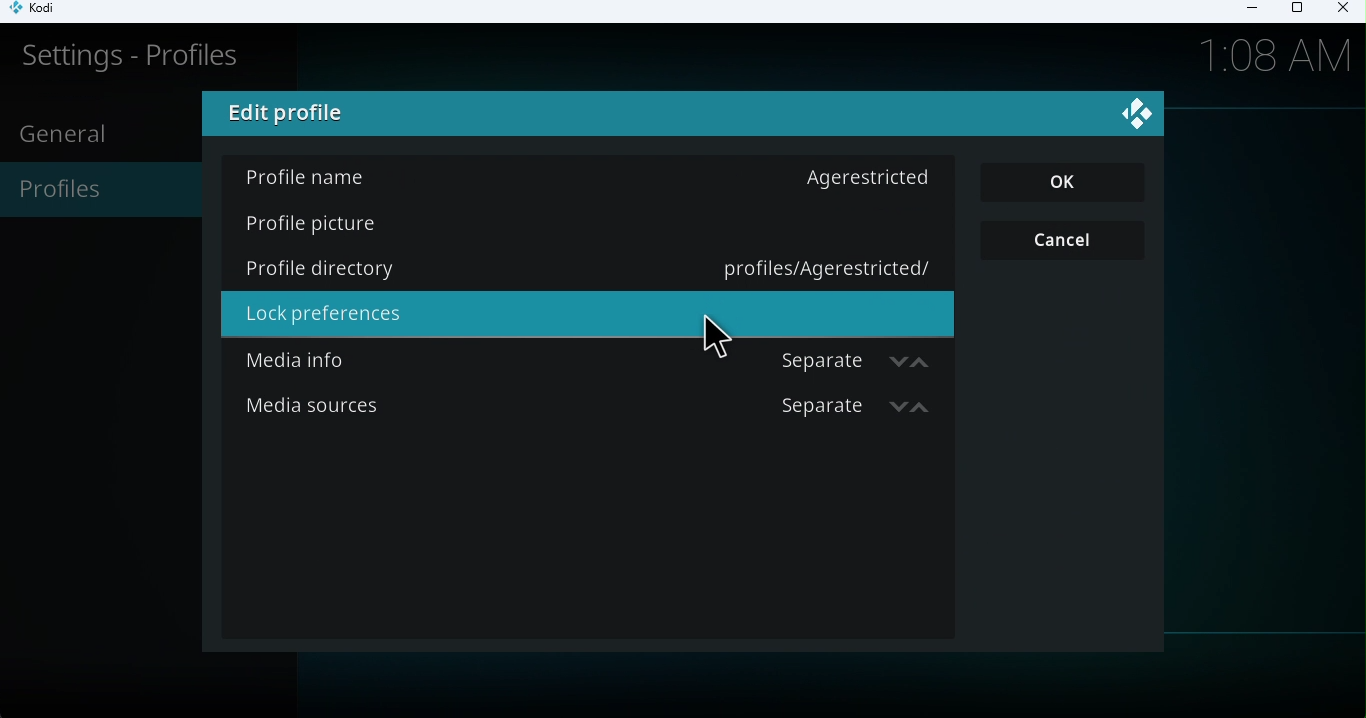 The height and width of the screenshot is (718, 1366). What do you see at coordinates (592, 363) in the screenshot?
I see `Media info` at bounding box center [592, 363].